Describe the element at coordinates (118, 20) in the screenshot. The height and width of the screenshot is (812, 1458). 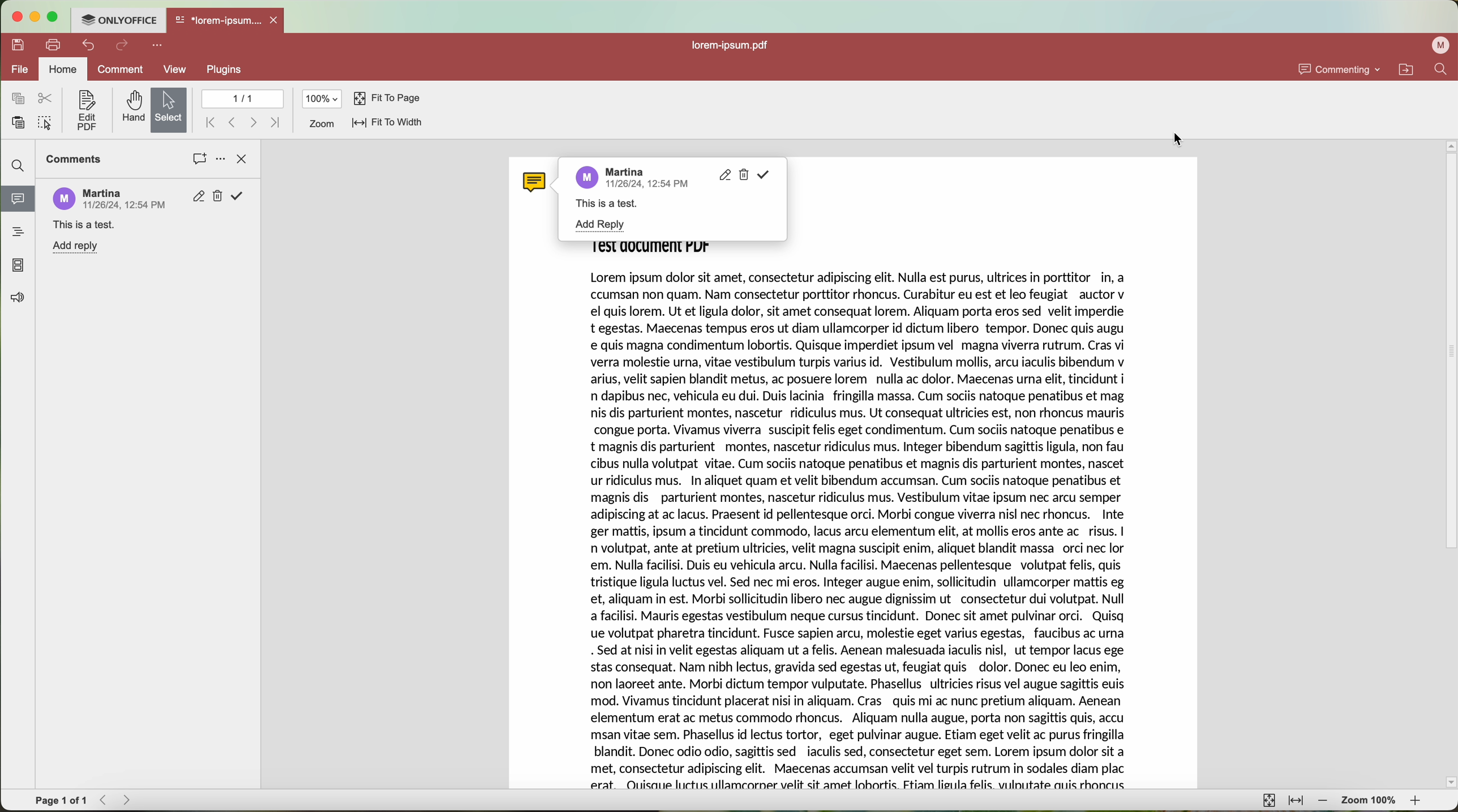
I see `ONLYOFFICE` at that location.